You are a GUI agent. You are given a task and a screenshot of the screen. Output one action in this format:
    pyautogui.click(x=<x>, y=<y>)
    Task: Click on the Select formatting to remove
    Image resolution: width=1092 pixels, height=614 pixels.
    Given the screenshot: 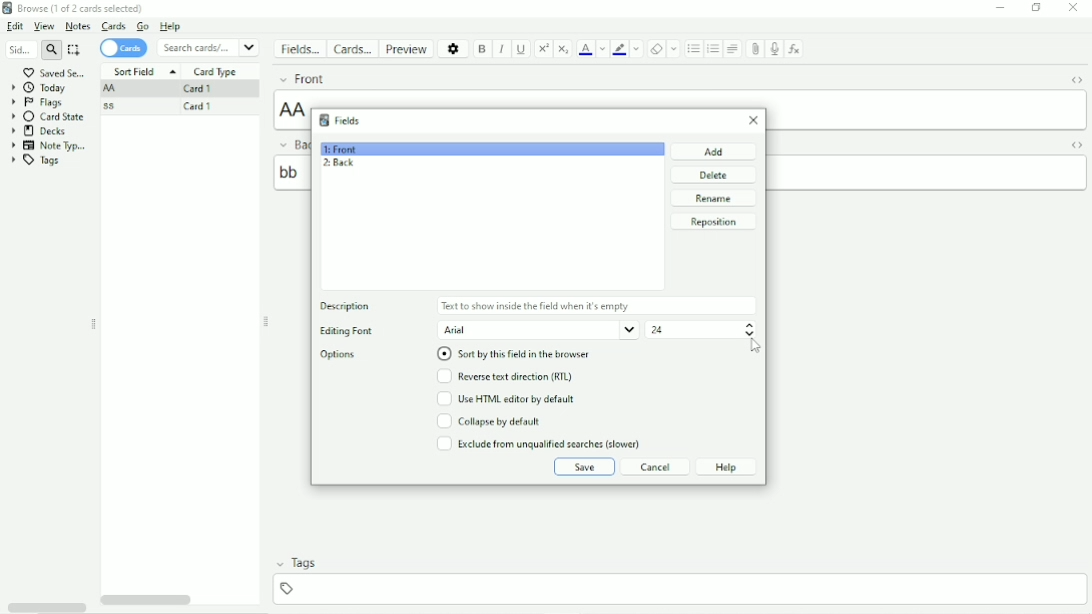 What is the action you would take?
    pyautogui.click(x=674, y=49)
    